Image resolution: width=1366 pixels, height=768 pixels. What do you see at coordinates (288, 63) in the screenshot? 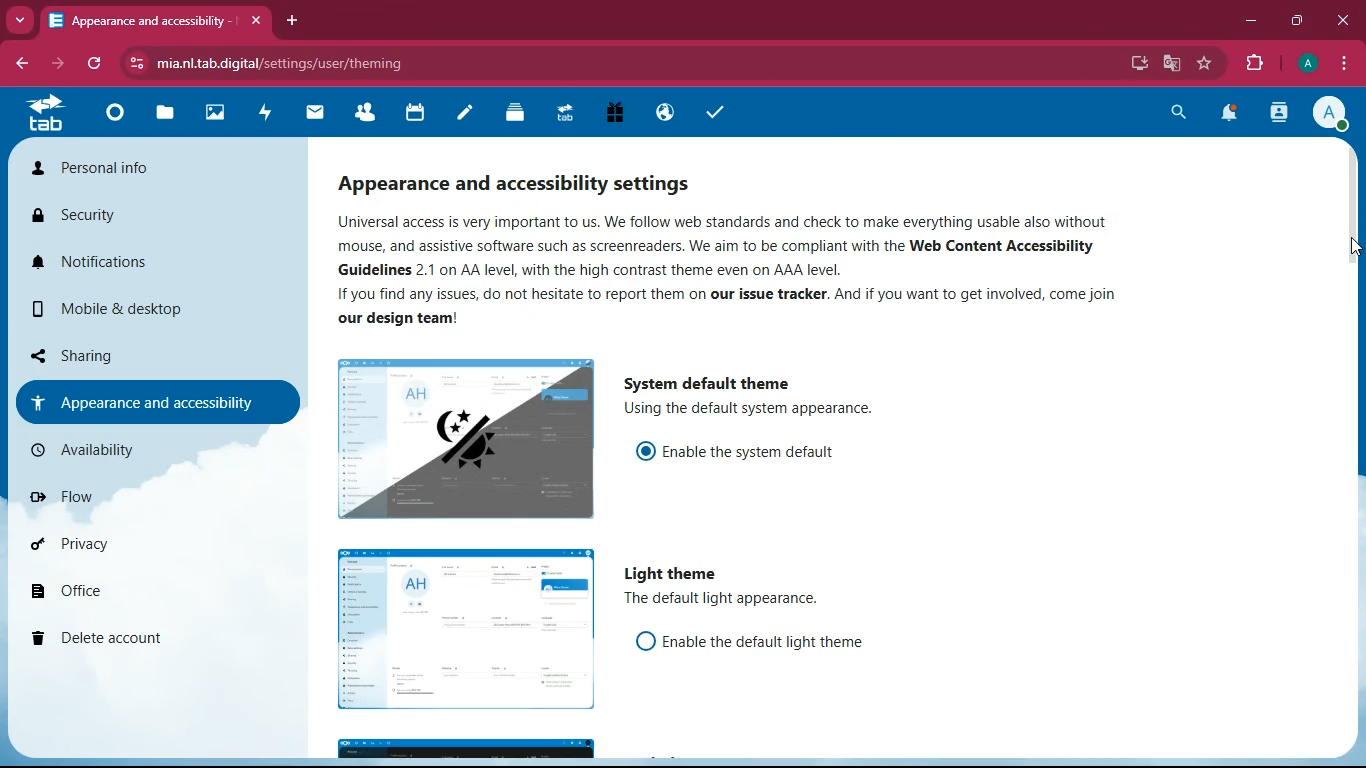
I see `url` at bounding box center [288, 63].